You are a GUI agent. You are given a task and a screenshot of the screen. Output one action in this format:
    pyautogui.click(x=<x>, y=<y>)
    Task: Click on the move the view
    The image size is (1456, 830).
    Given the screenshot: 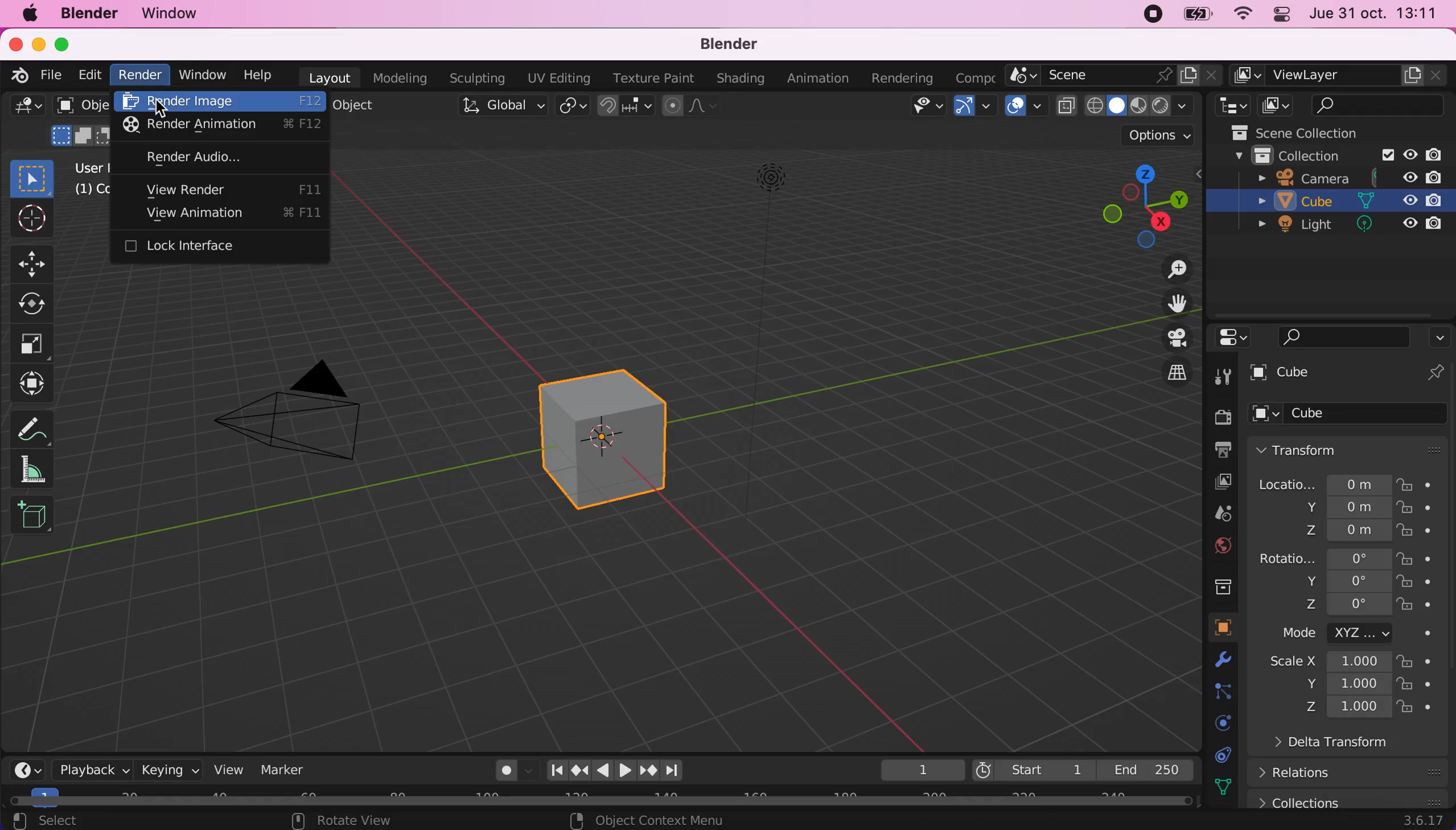 What is the action you would take?
    pyautogui.click(x=1168, y=303)
    